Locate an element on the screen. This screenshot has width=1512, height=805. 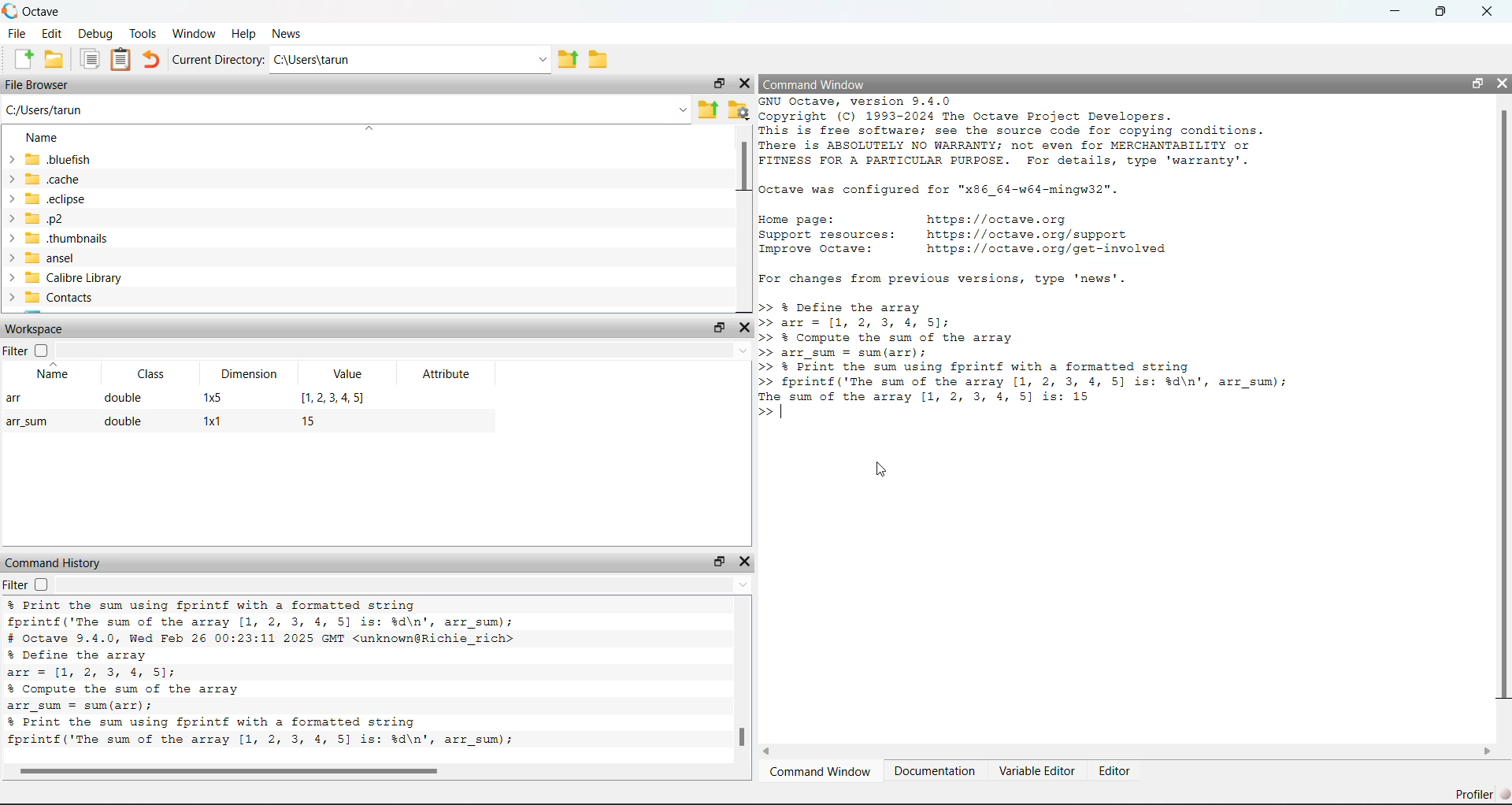
Documentation is located at coordinates (936, 772).